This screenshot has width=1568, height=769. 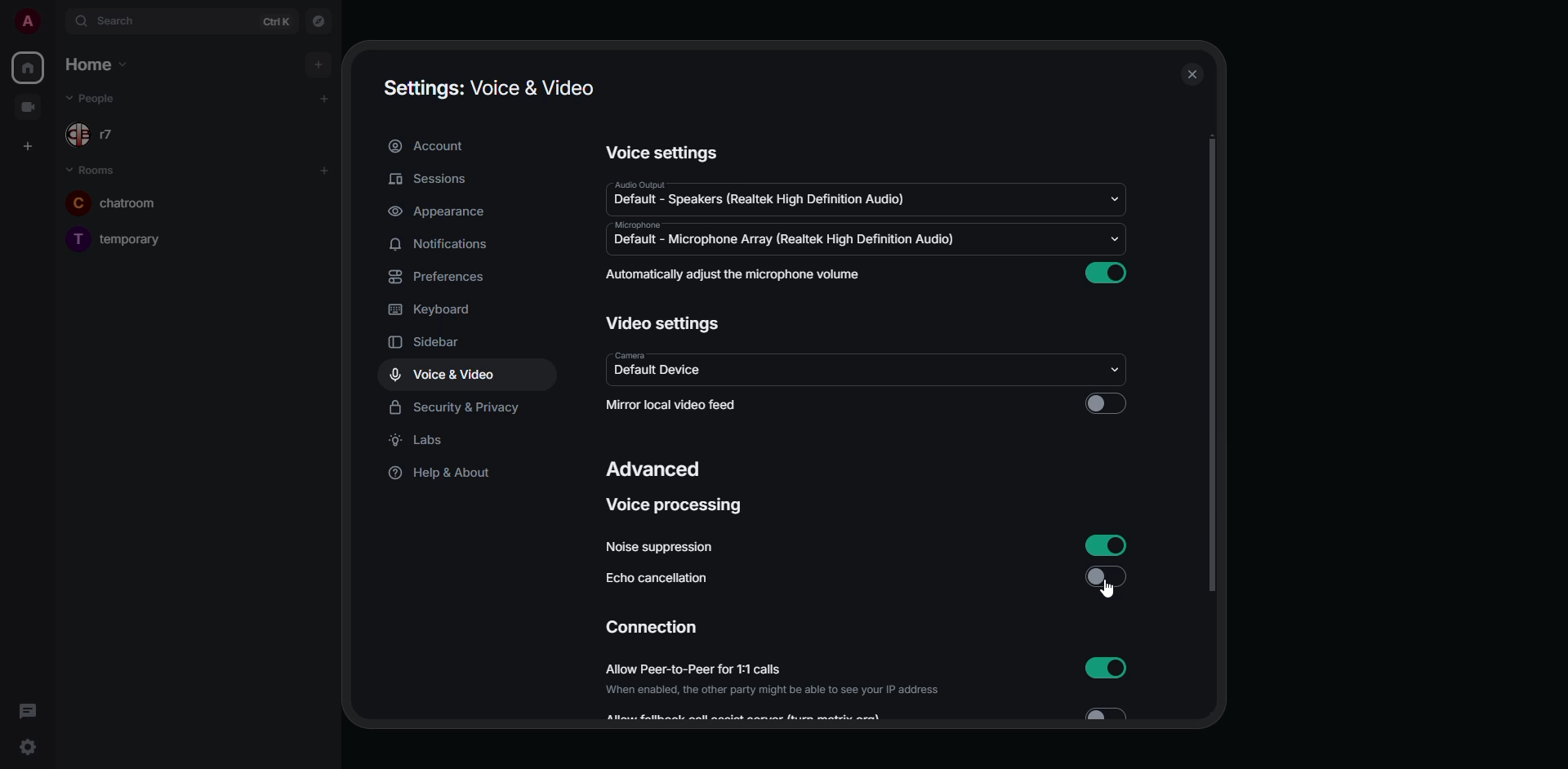 I want to click on room, so click(x=94, y=171).